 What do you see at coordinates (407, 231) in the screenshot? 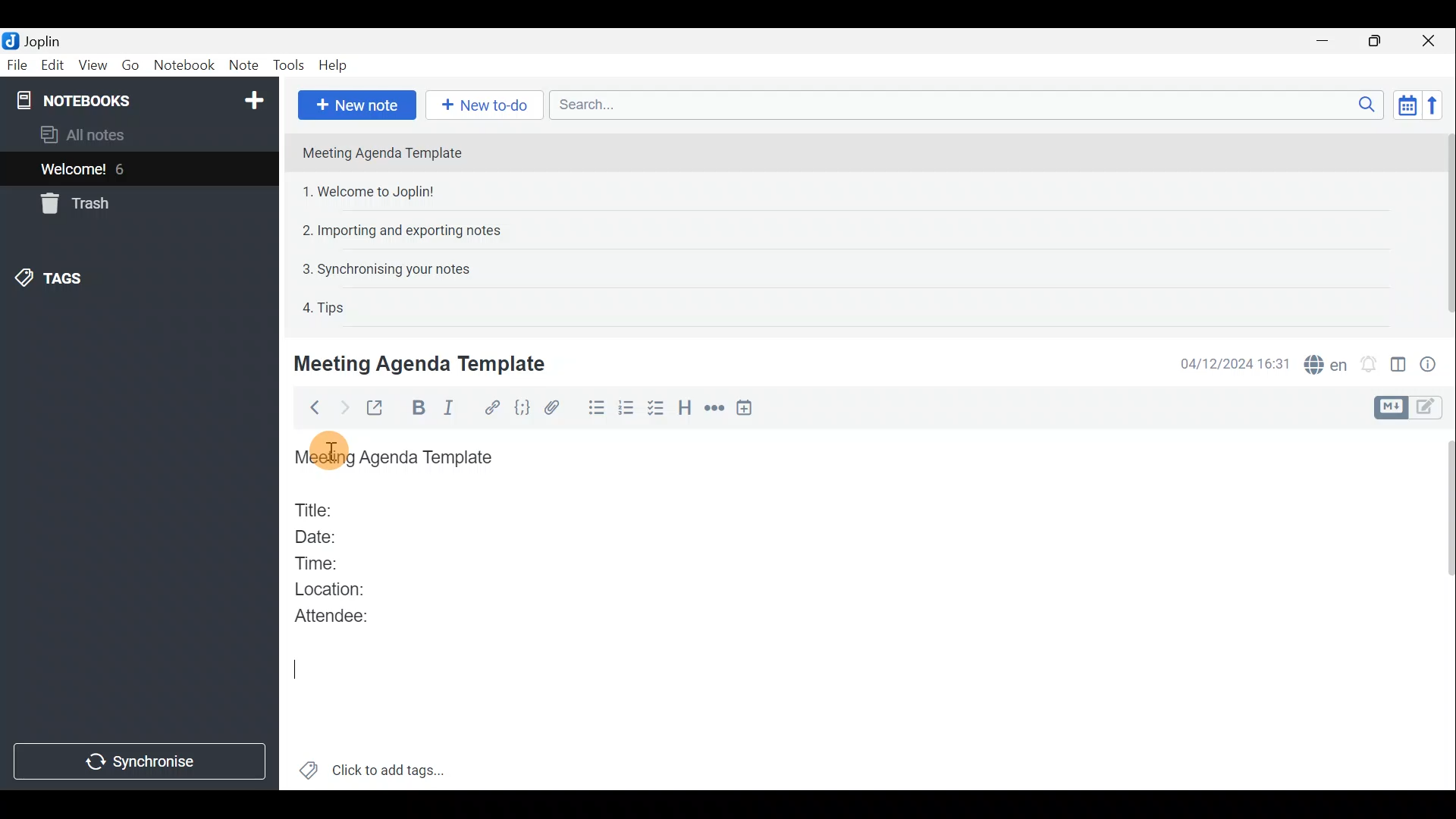
I see `2. Importing and exporting notes` at bounding box center [407, 231].